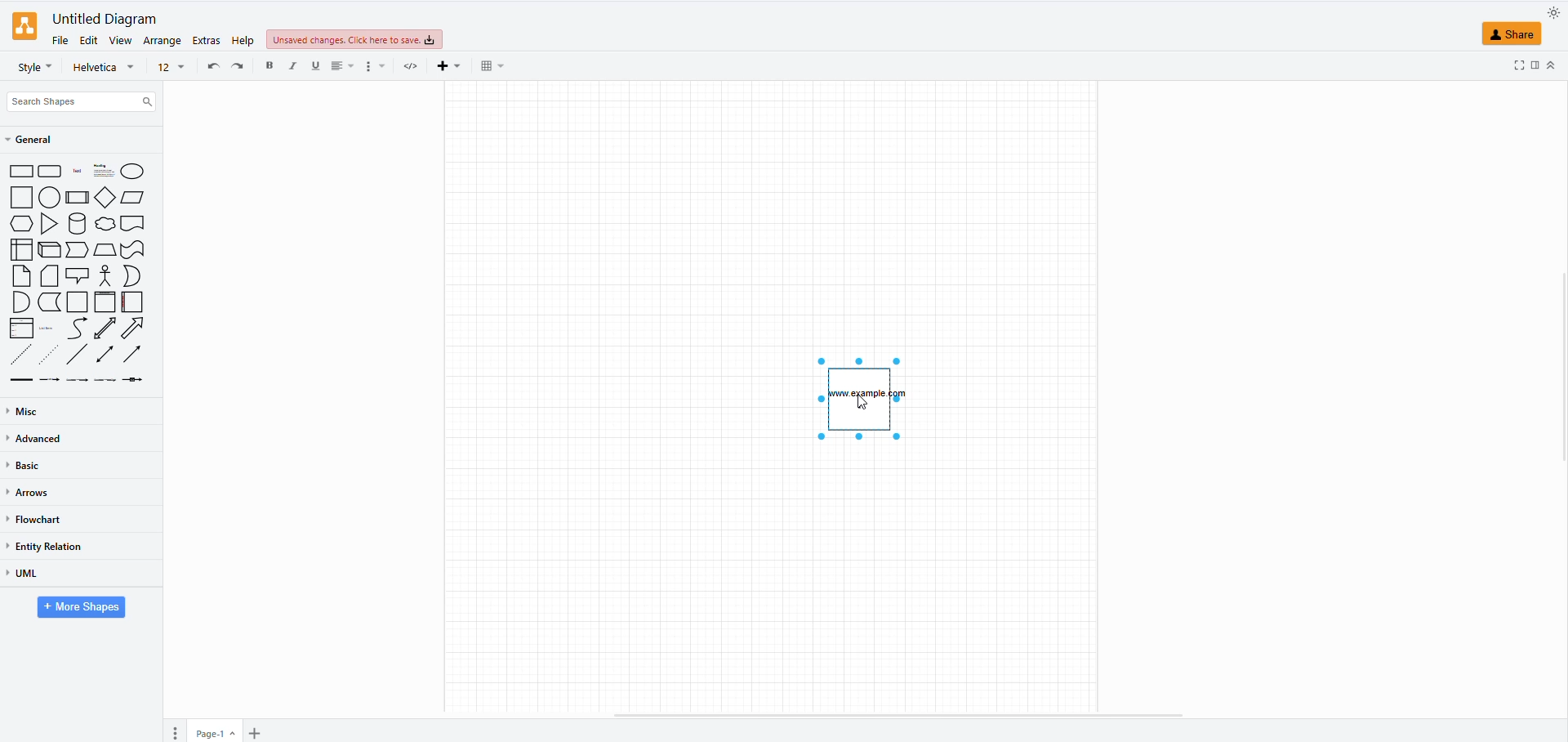 This screenshot has width=1568, height=742. Describe the element at coordinates (51, 382) in the screenshot. I see `connector with label` at that location.